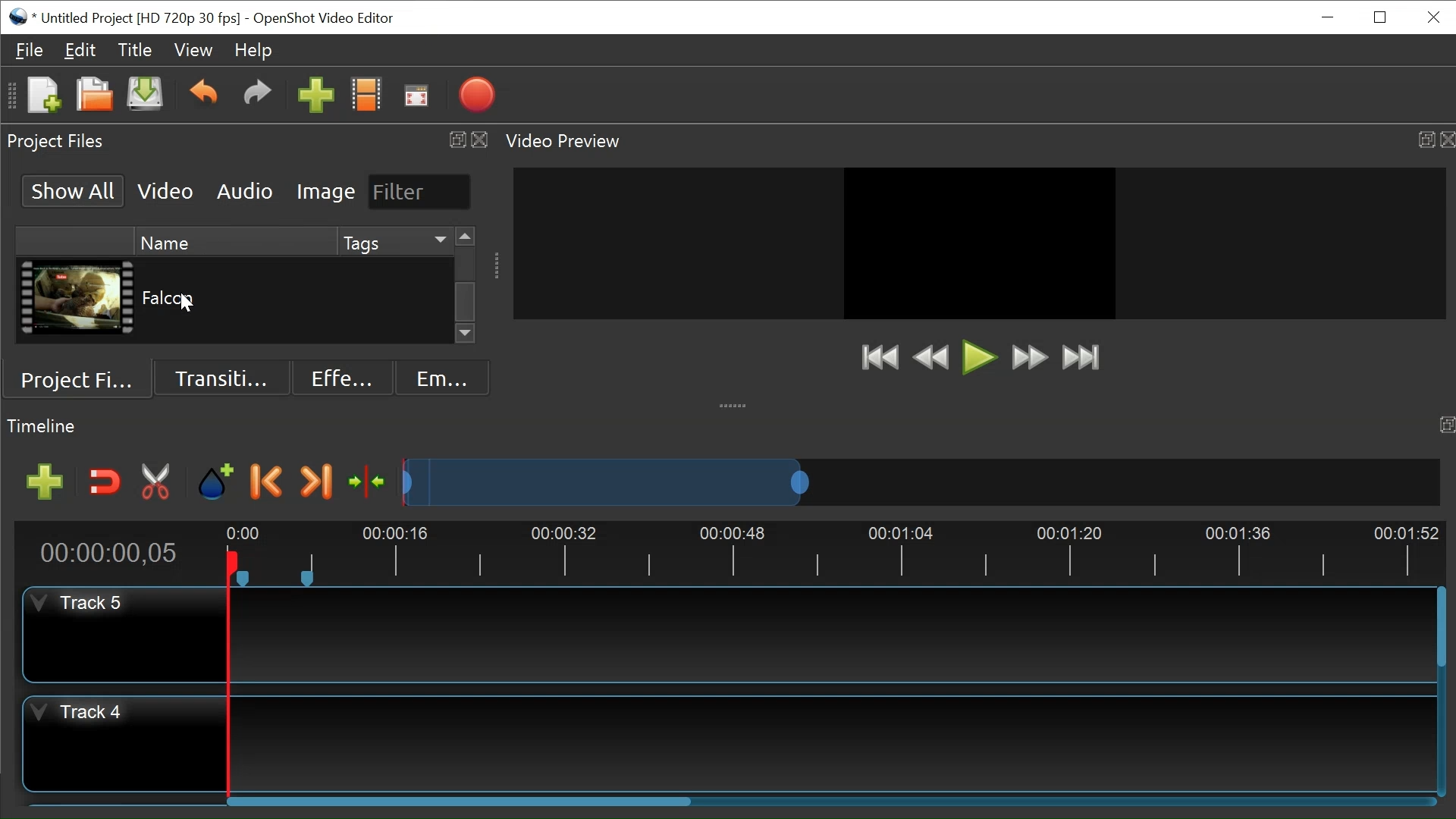  What do you see at coordinates (30, 49) in the screenshot?
I see `Files` at bounding box center [30, 49].